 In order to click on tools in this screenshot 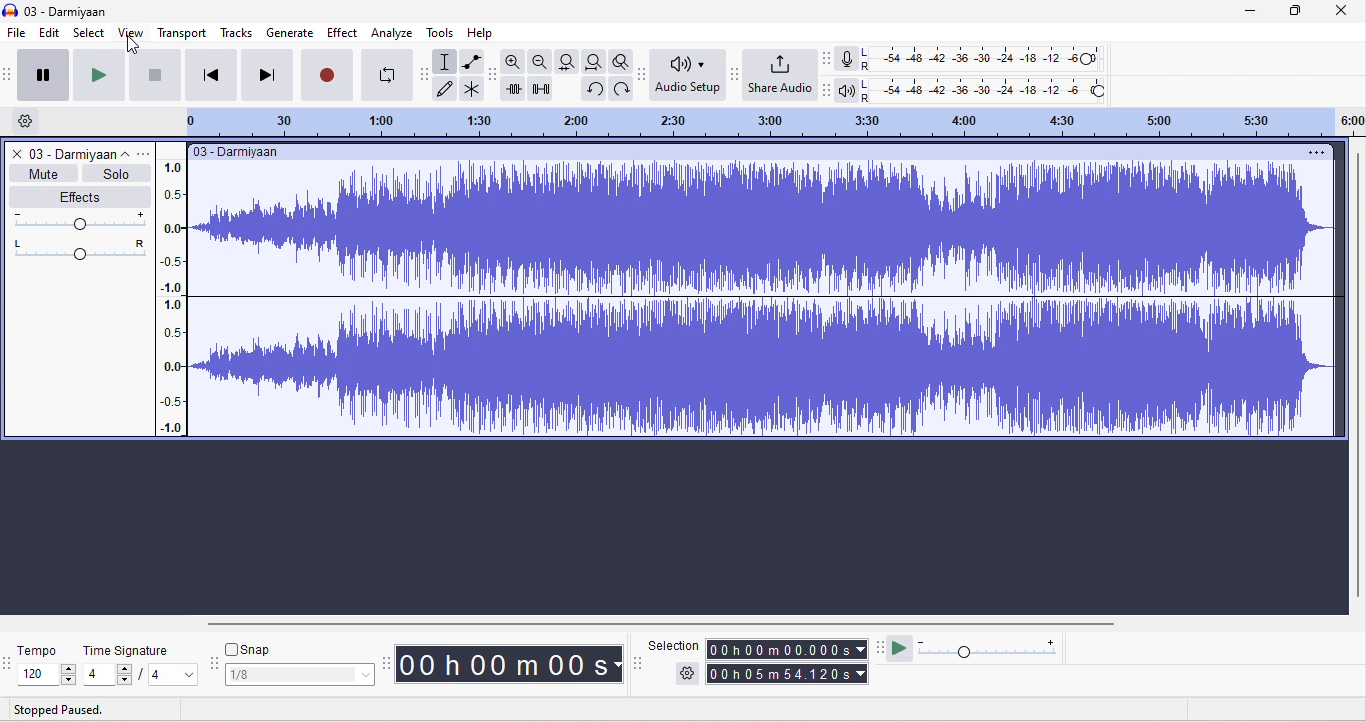, I will do `click(440, 34)`.